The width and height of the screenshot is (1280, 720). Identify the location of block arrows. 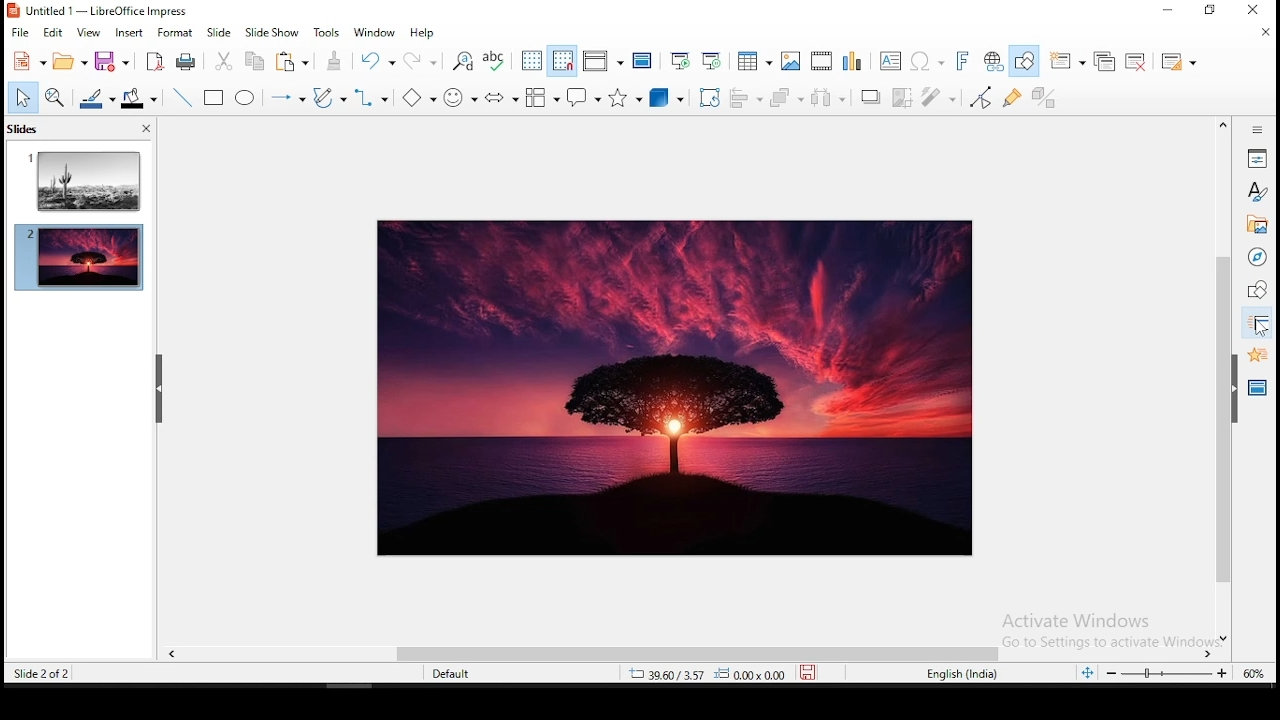
(503, 100).